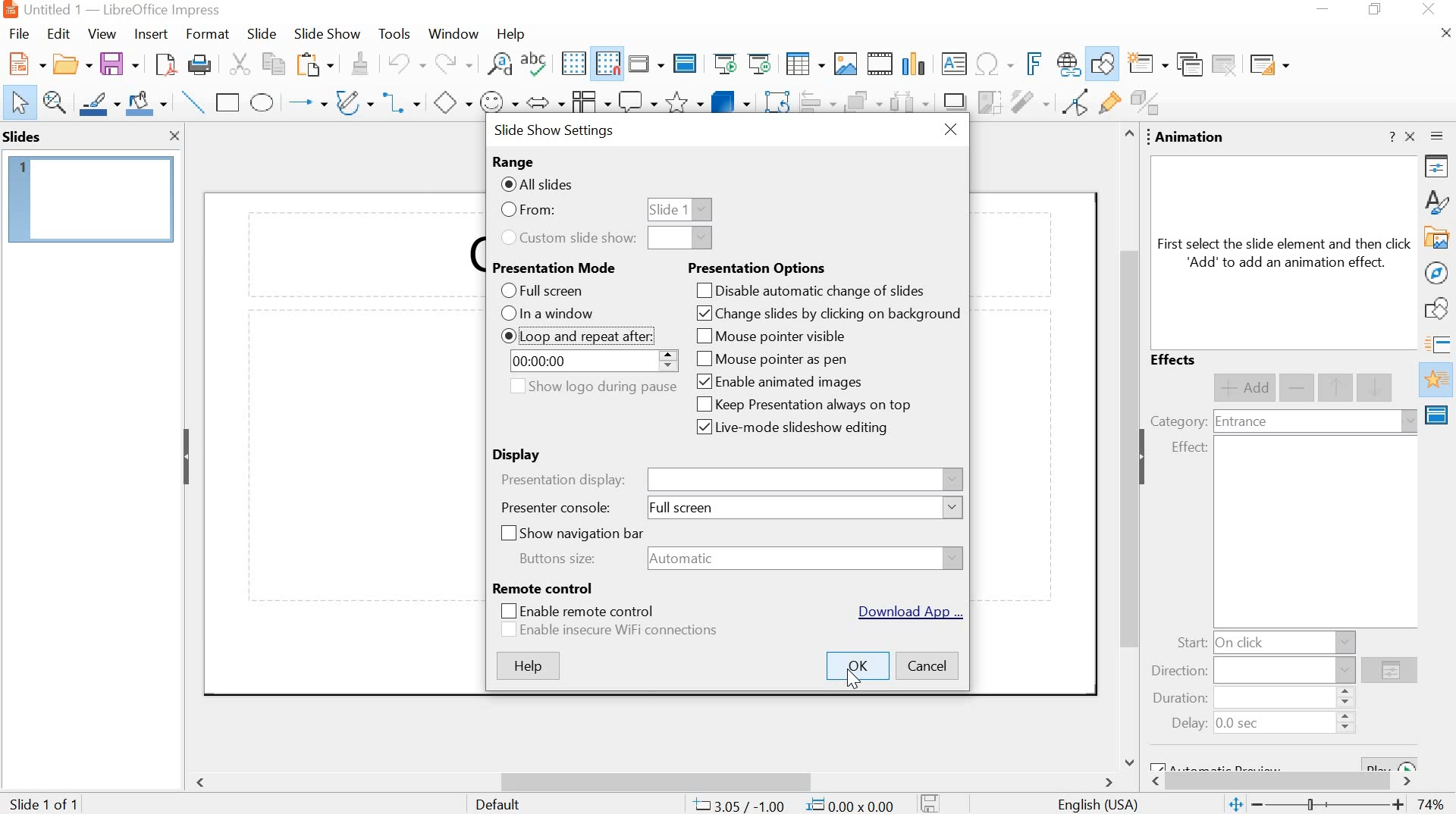 The width and height of the screenshot is (1456, 814). I want to click on new slide, so click(1149, 65).